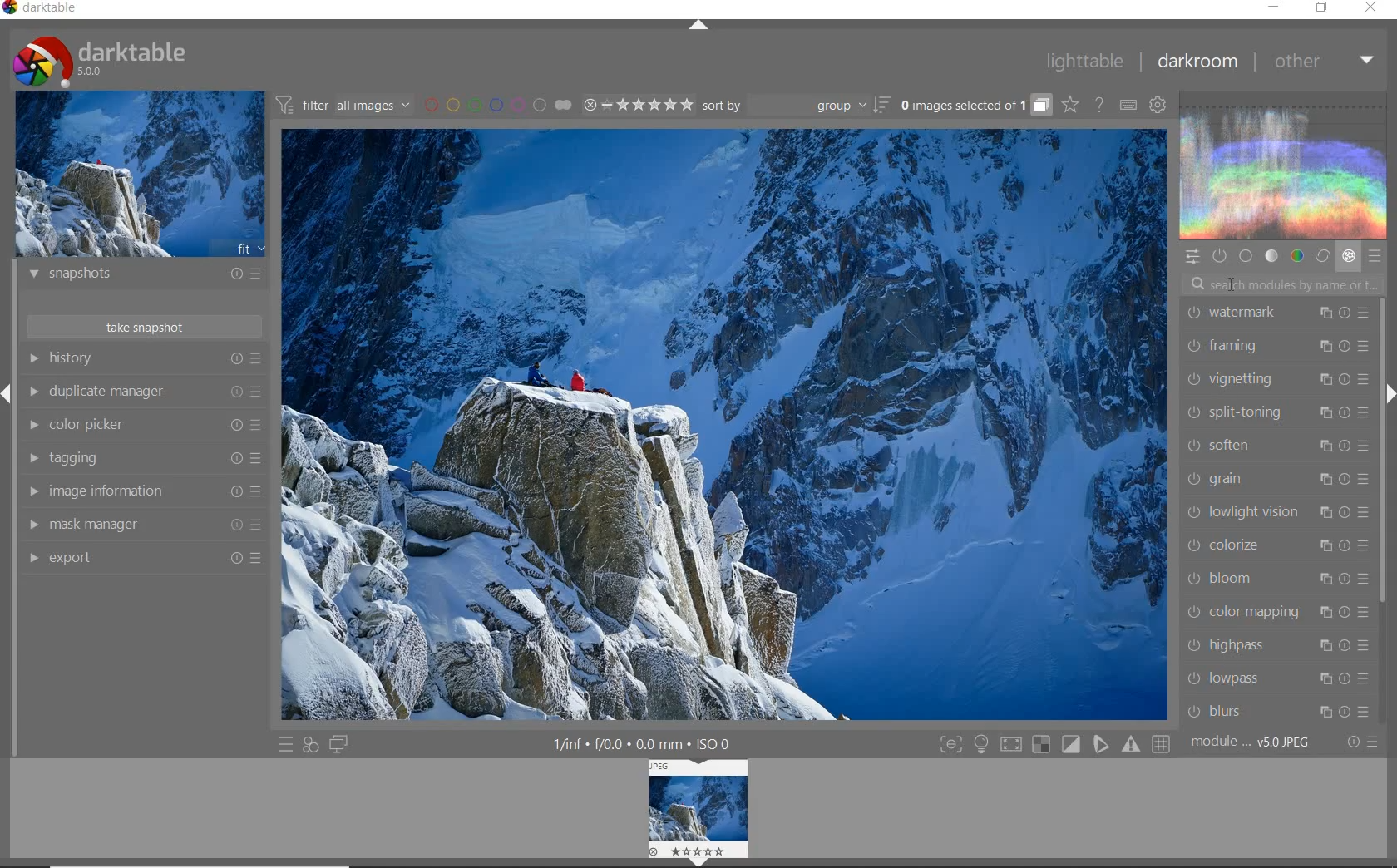  Describe the element at coordinates (1101, 106) in the screenshot. I see `enable online help` at that location.